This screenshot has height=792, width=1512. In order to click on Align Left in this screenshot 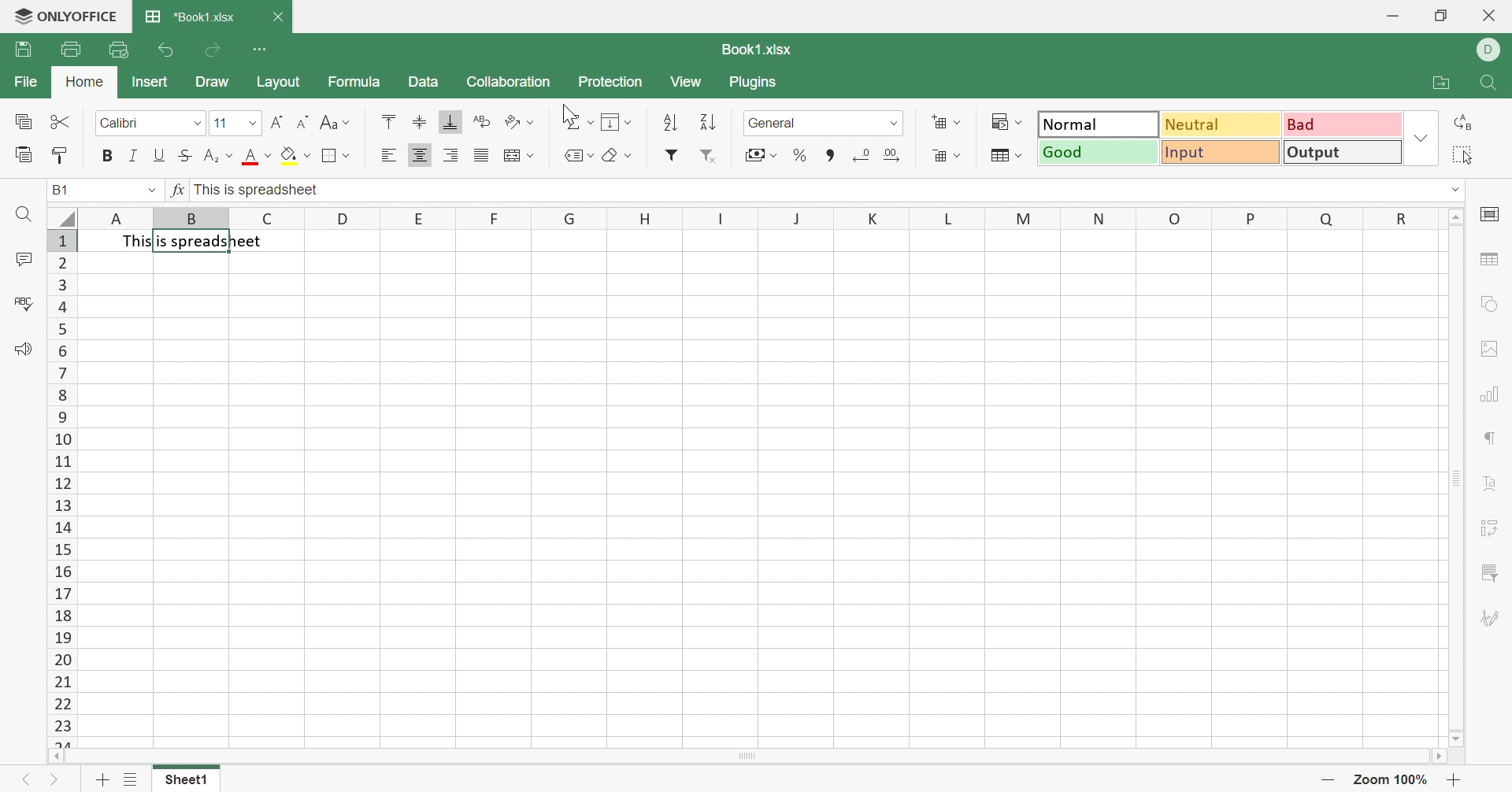, I will do `click(391, 156)`.